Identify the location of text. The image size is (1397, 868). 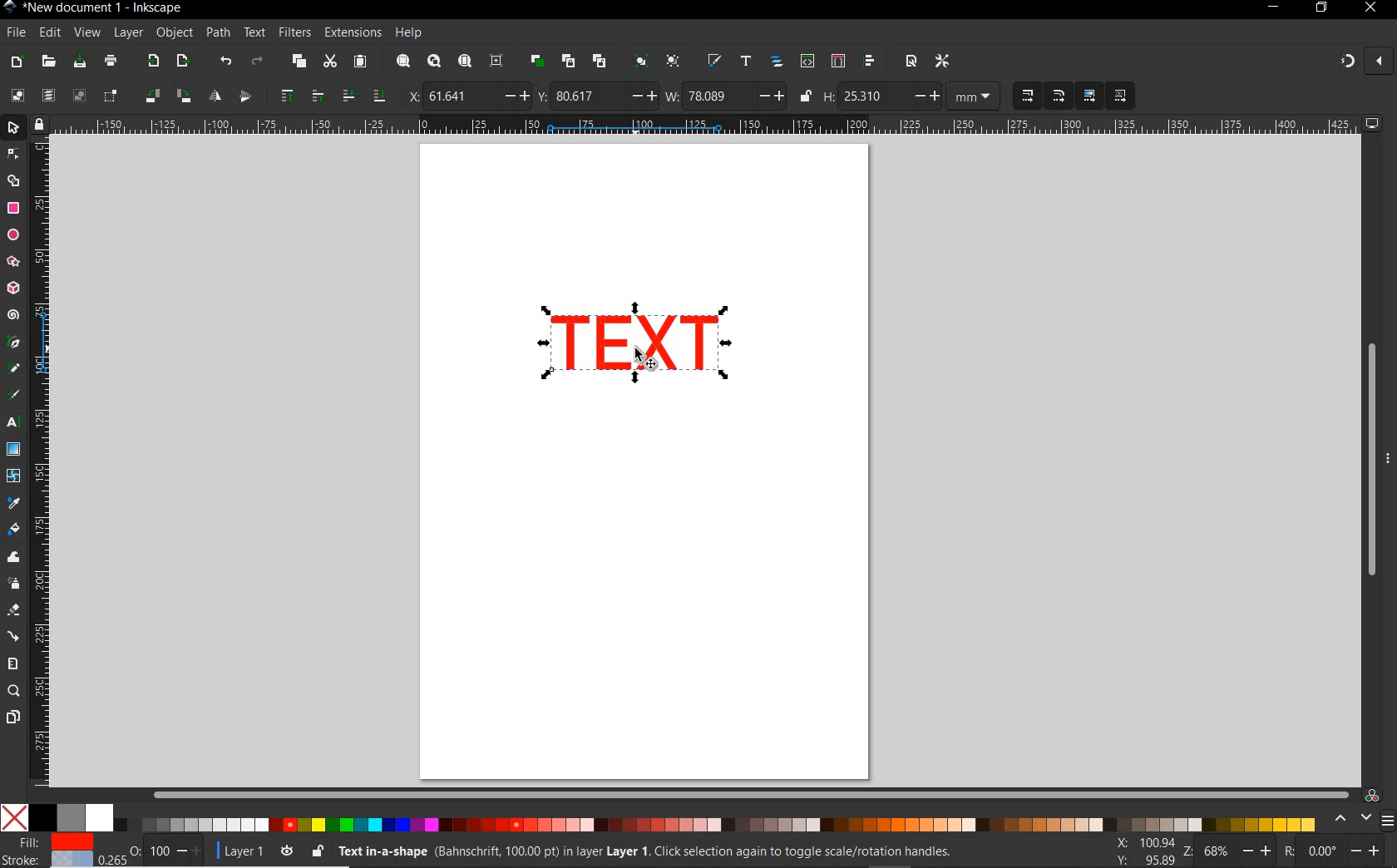
(255, 33).